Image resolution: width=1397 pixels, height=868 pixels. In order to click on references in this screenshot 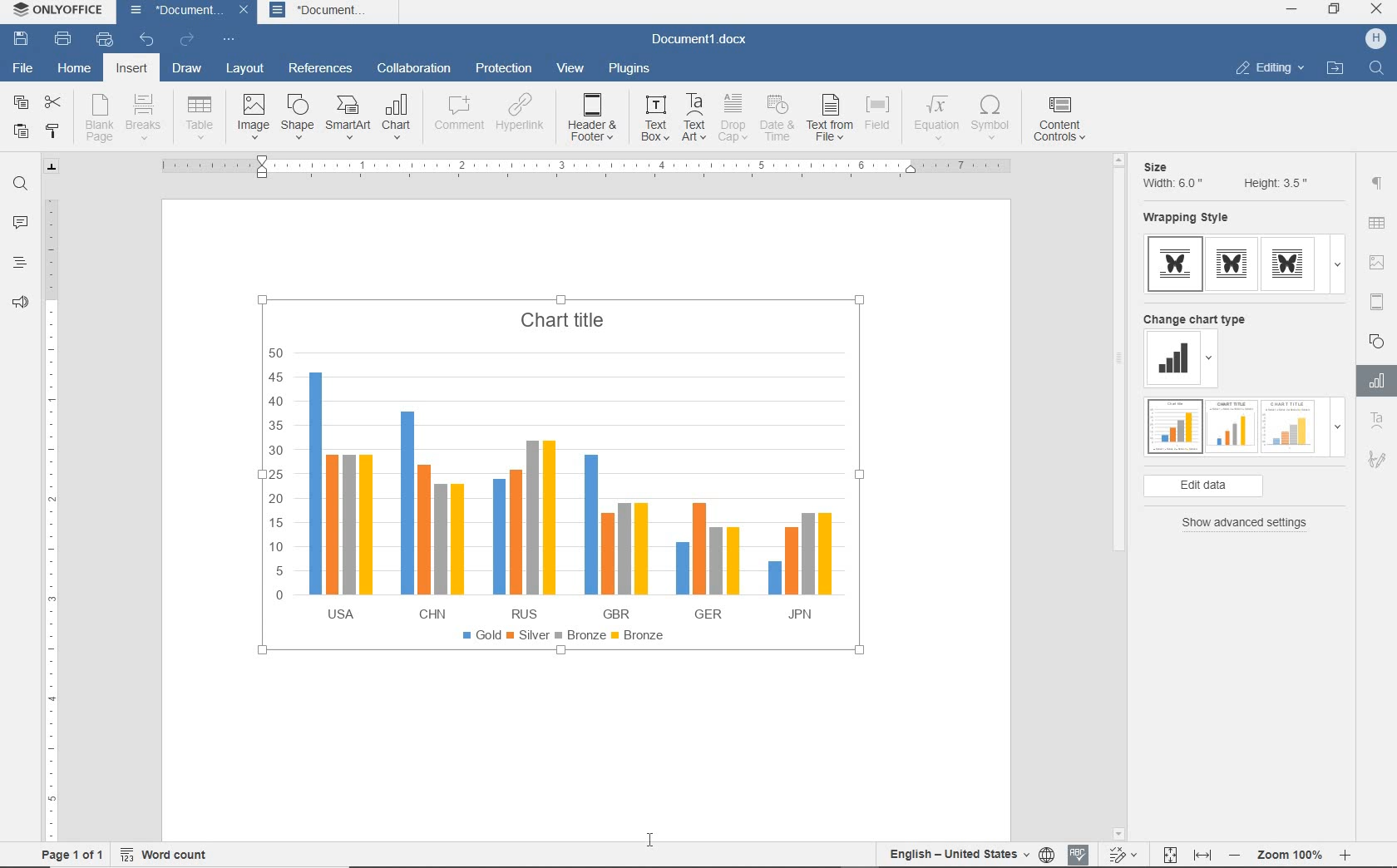, I will do `click(321, 70)`.